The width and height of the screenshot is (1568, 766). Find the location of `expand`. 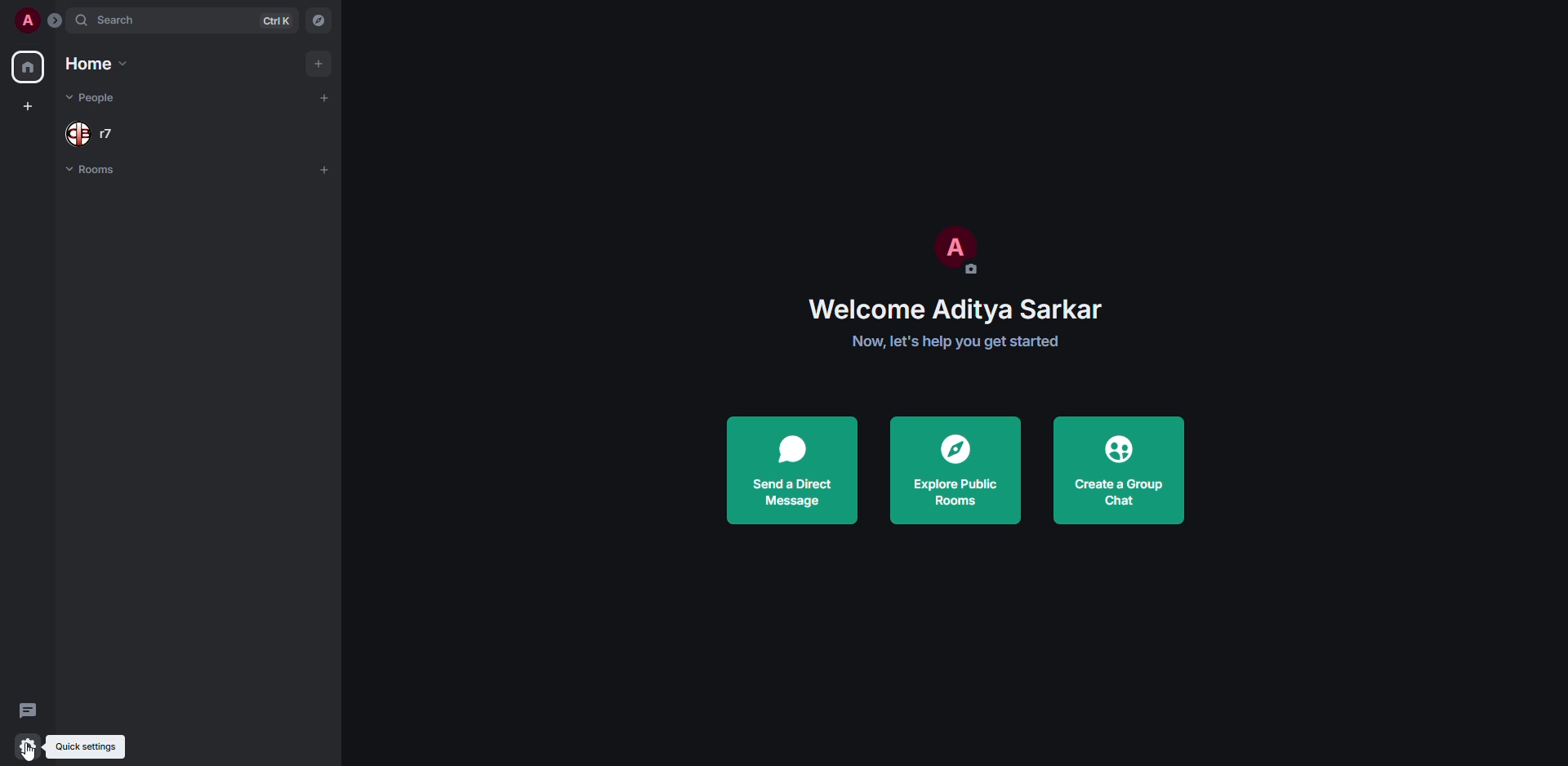

expand is located at coordinates (56, 22).